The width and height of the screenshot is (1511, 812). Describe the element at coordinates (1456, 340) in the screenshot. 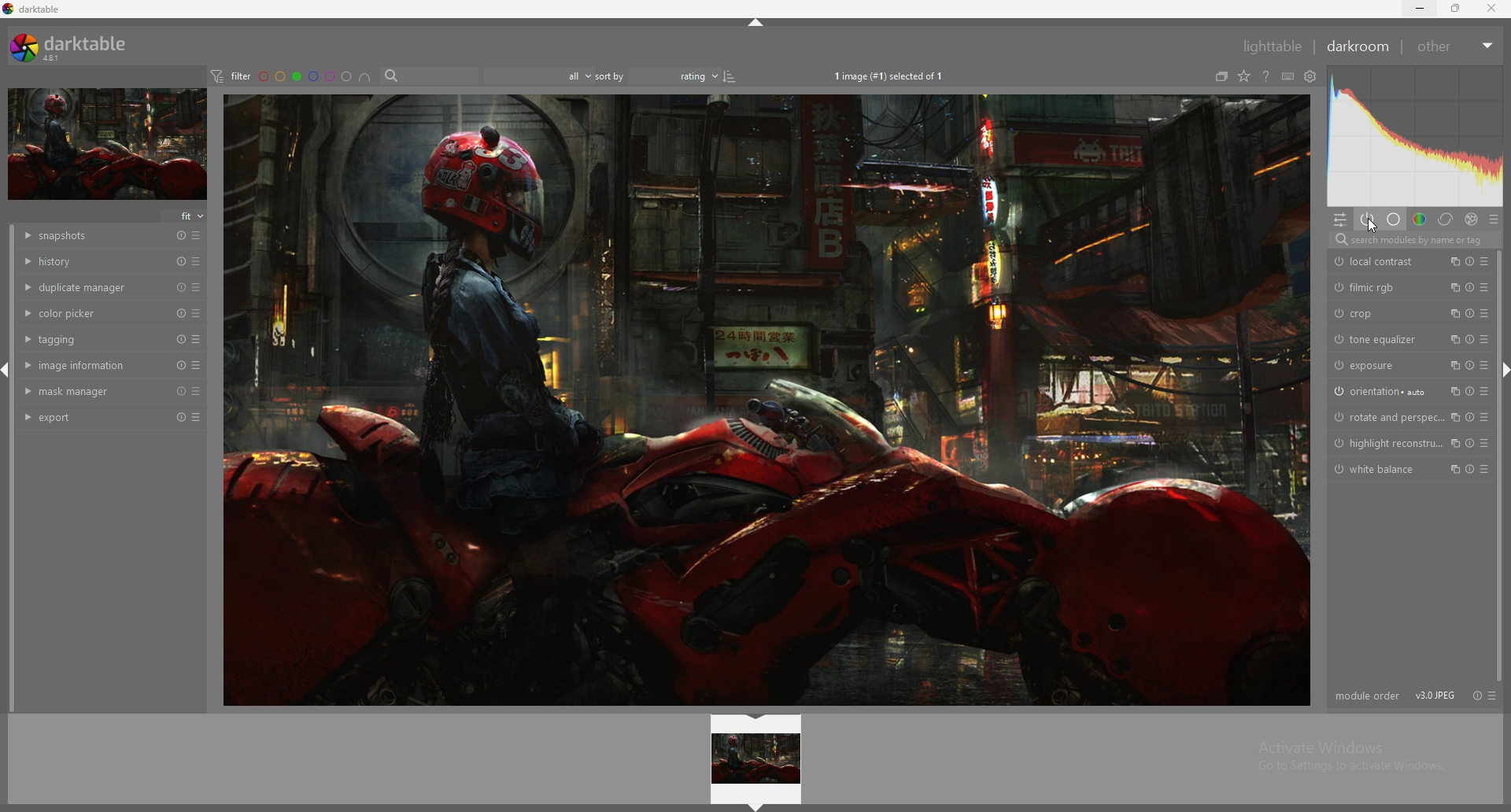

I see `multiple instances action` at that location.